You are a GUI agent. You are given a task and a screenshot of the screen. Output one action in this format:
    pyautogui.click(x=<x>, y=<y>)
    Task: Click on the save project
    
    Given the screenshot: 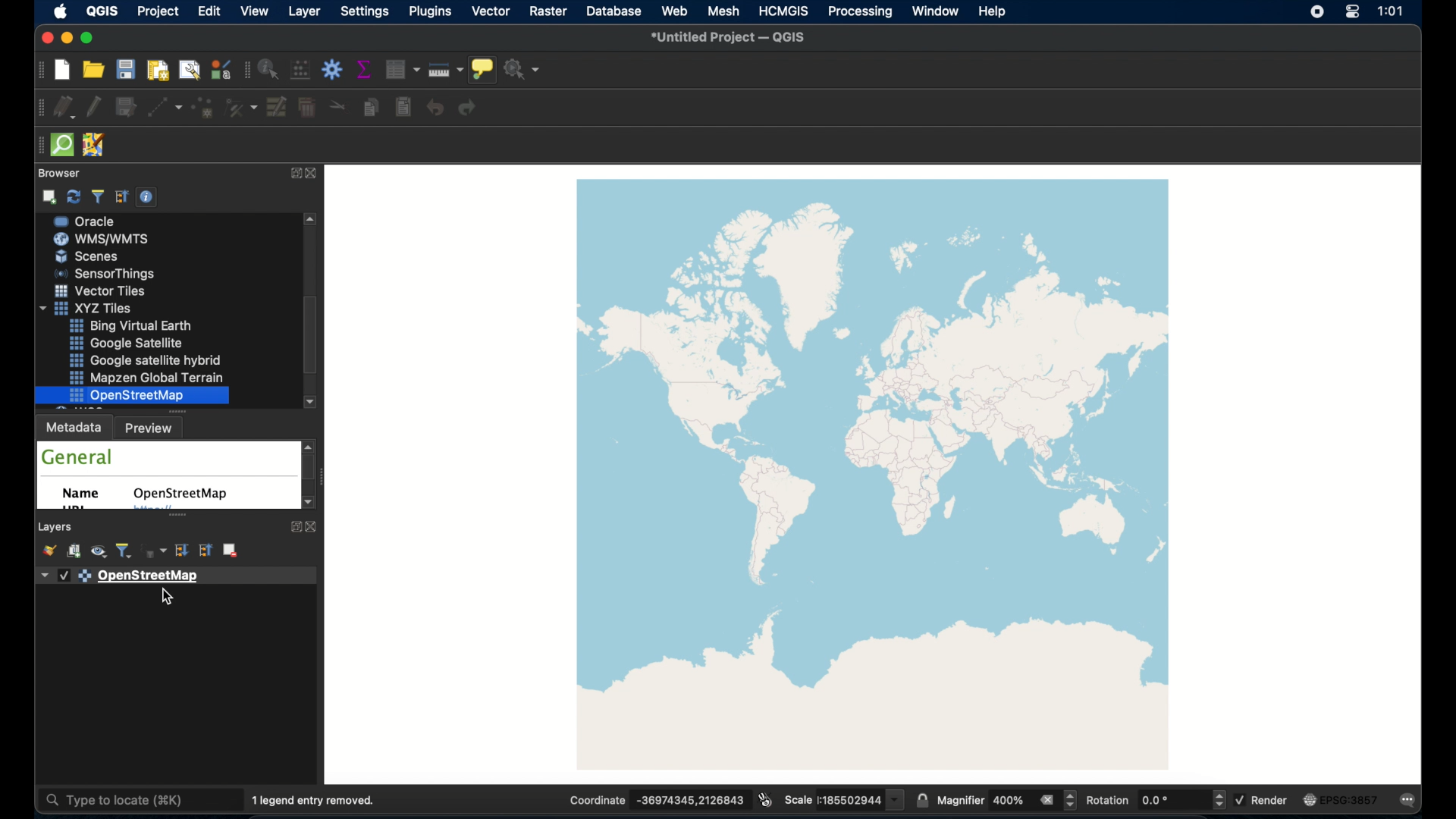 What is the action you would take?
    pyautogui.click(x=127, y=71)
    